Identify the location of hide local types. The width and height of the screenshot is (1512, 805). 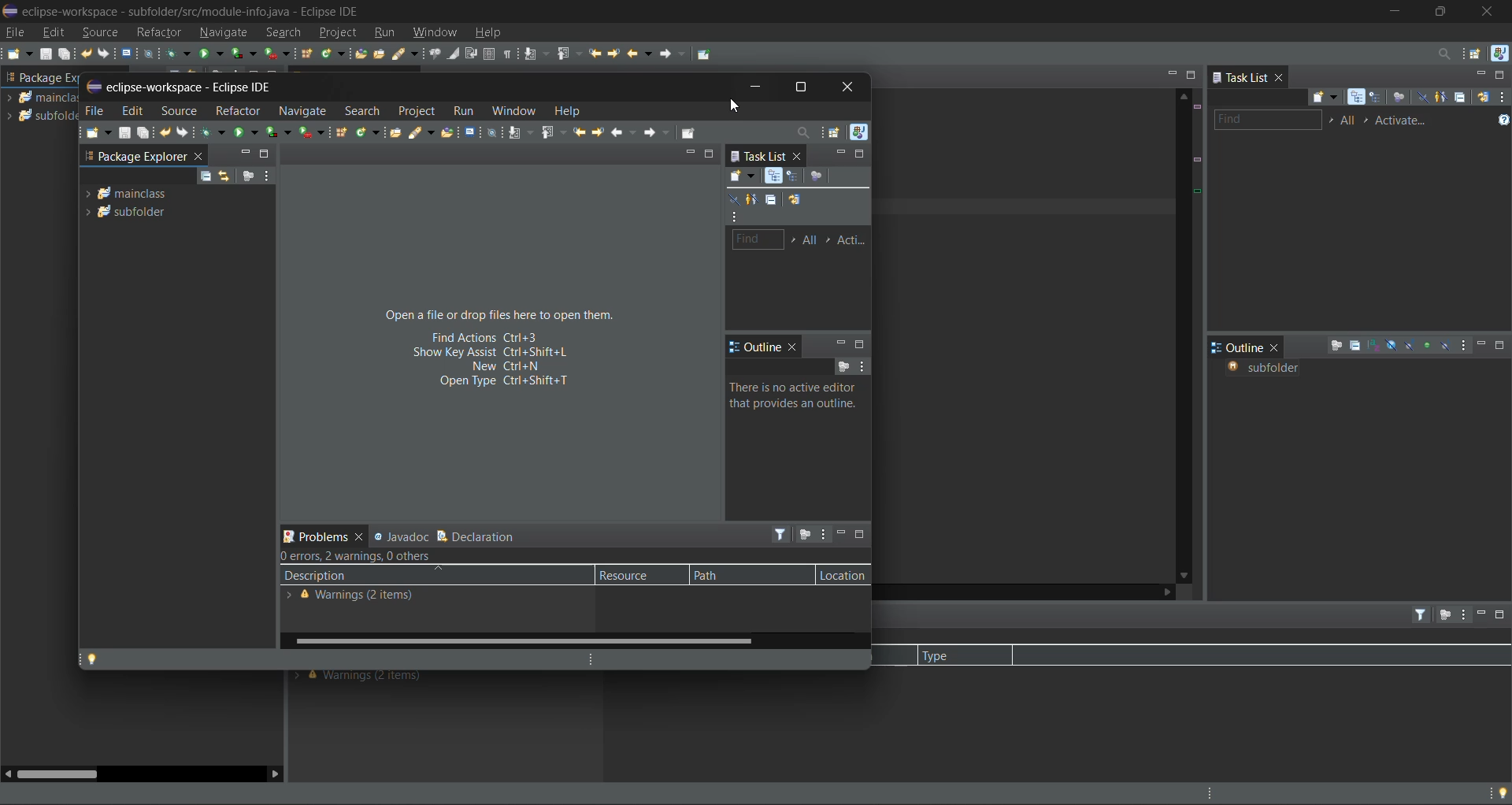
(1447, 344).